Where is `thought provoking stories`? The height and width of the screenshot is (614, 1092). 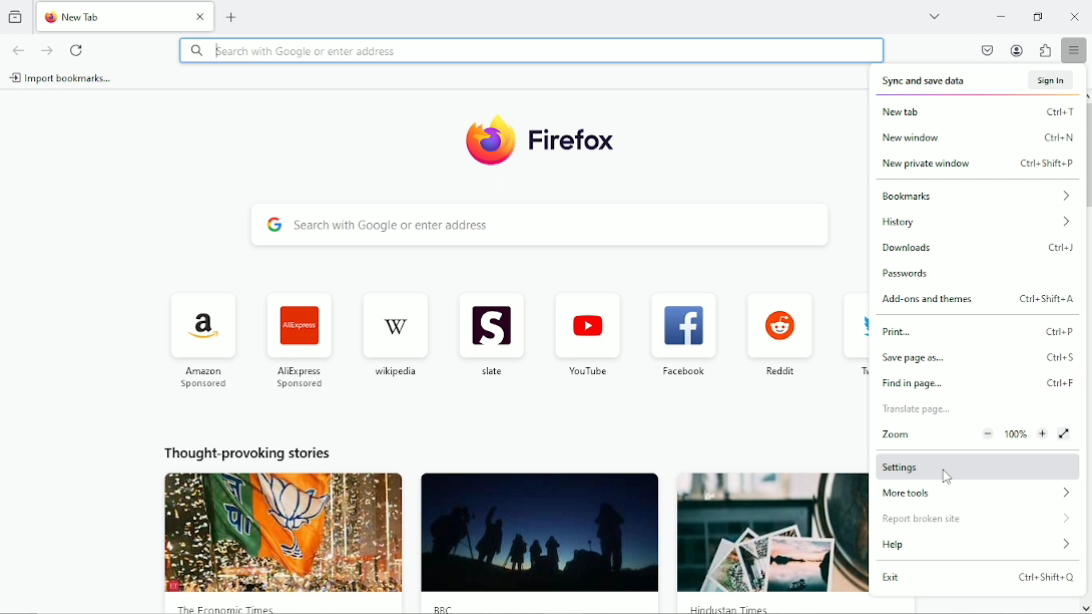
thought provoking stories is located at coordinates (248, 454).